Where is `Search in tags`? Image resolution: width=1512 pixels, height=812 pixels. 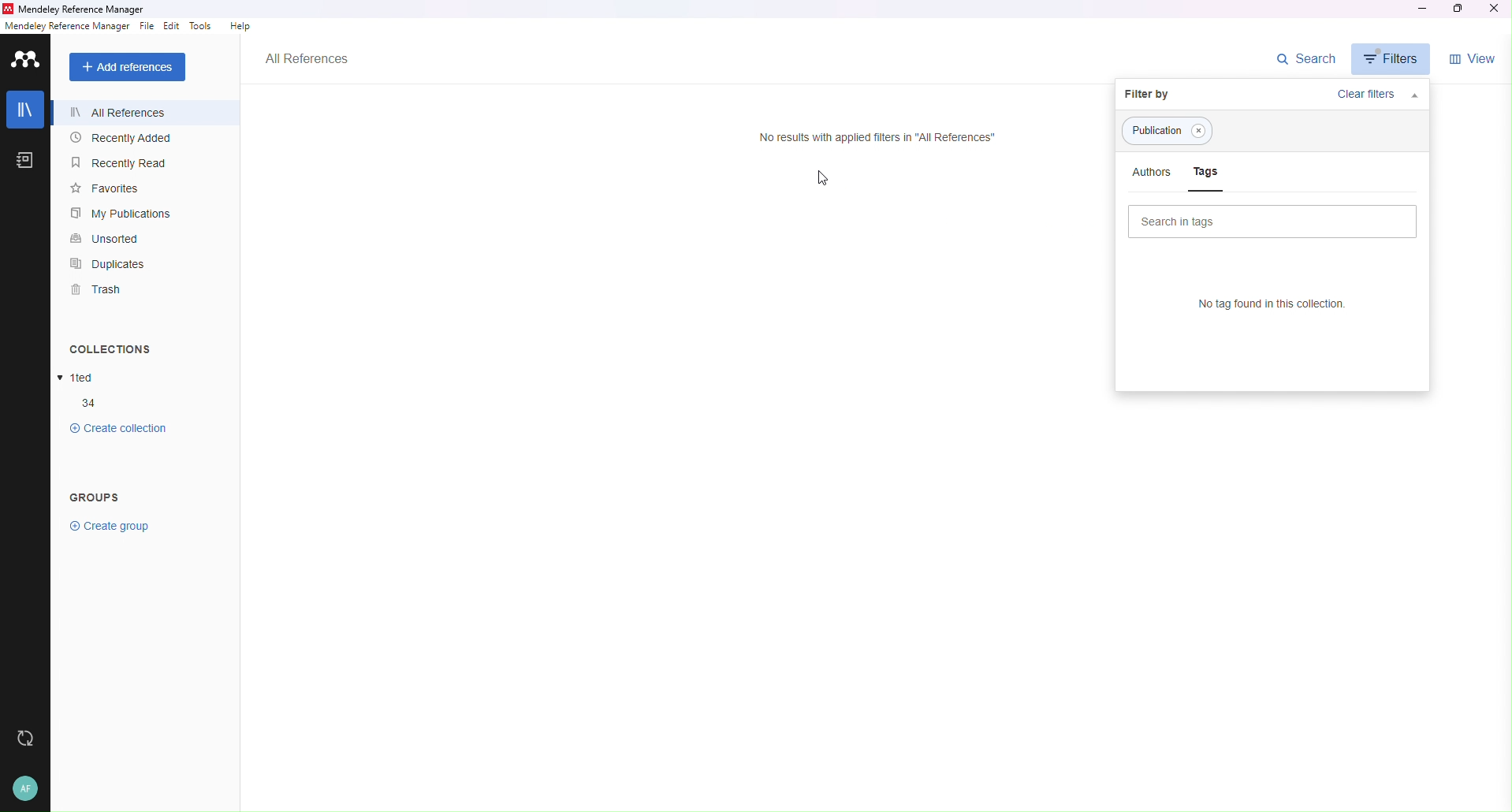 Search in tags is located at coordinates (1268, 221).